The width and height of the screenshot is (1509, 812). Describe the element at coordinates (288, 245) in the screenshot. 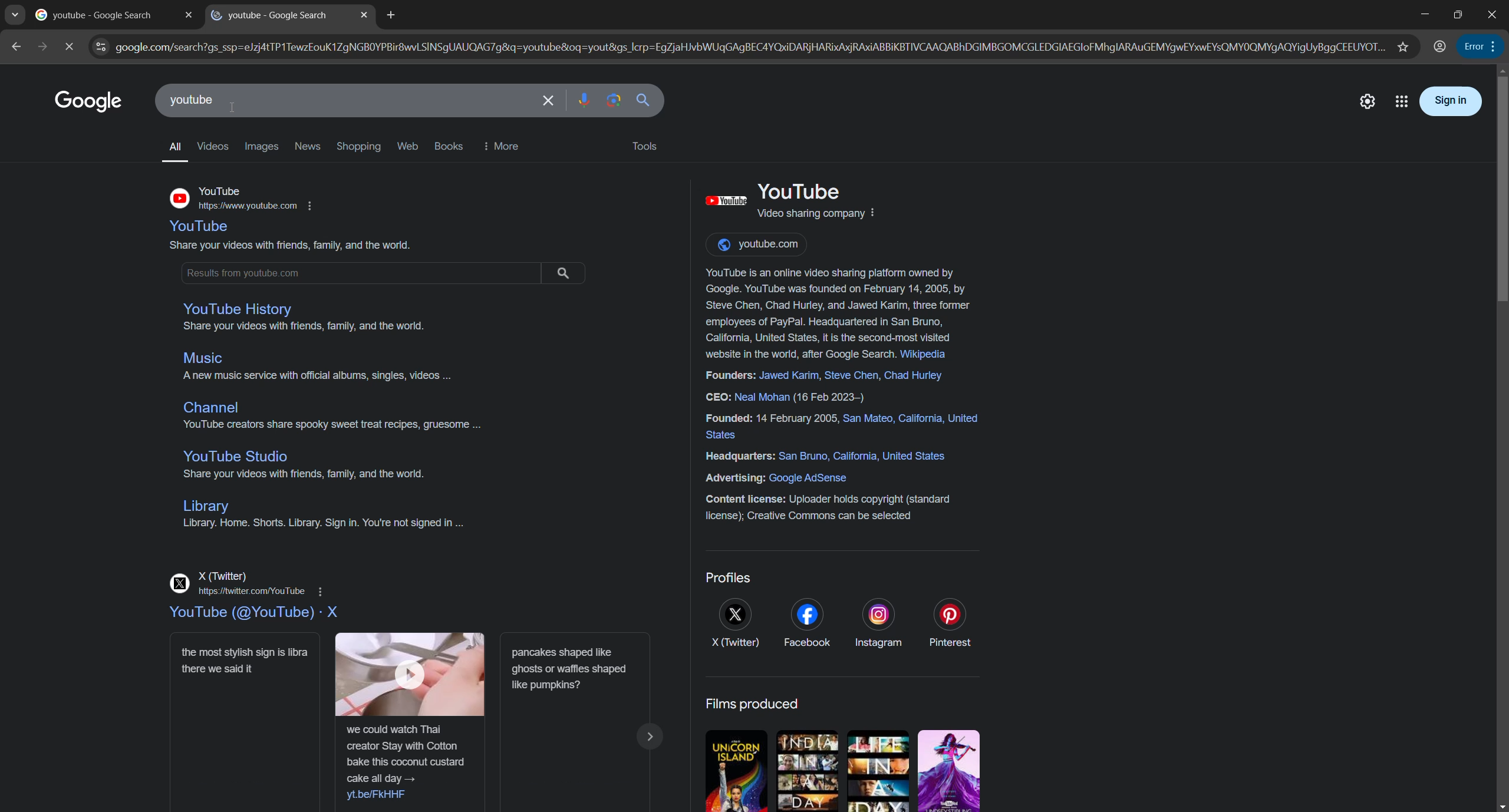

I see `share your videos with friends,family, and the world` at that location.